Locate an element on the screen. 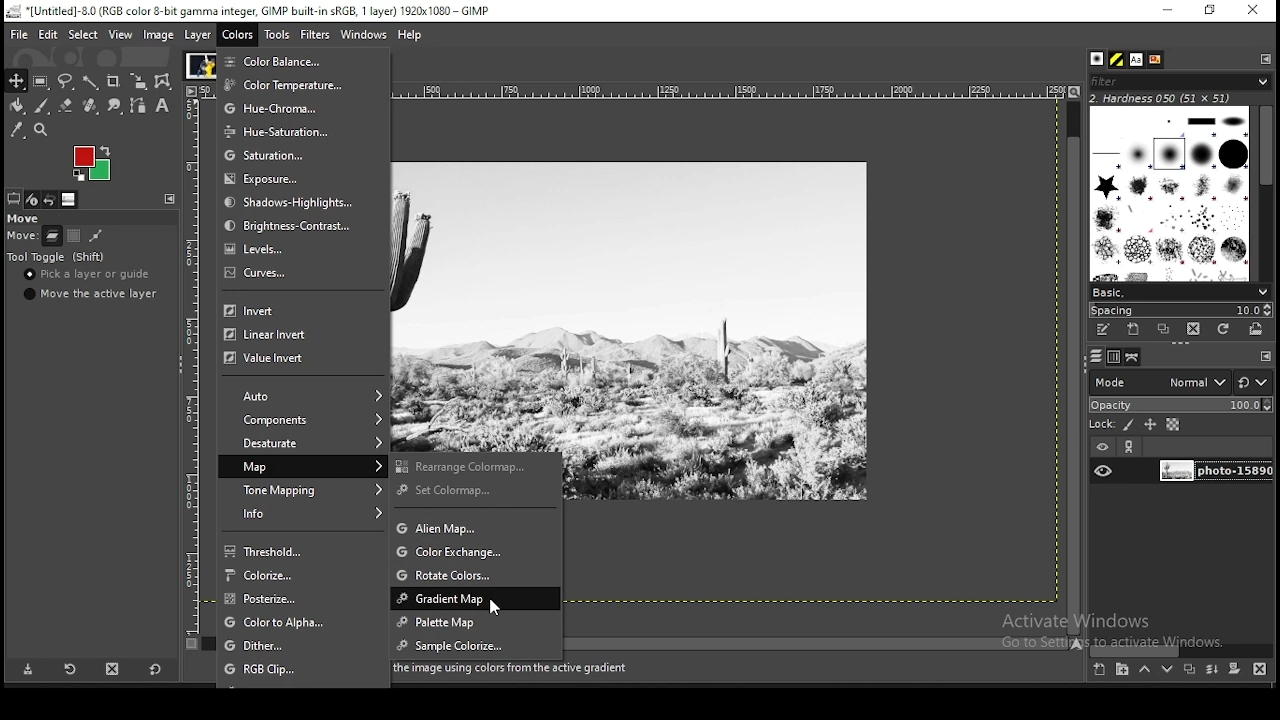 Image resolution: width=1280 pixels, height=720 pixels. images is located at coordinates (70, 200).